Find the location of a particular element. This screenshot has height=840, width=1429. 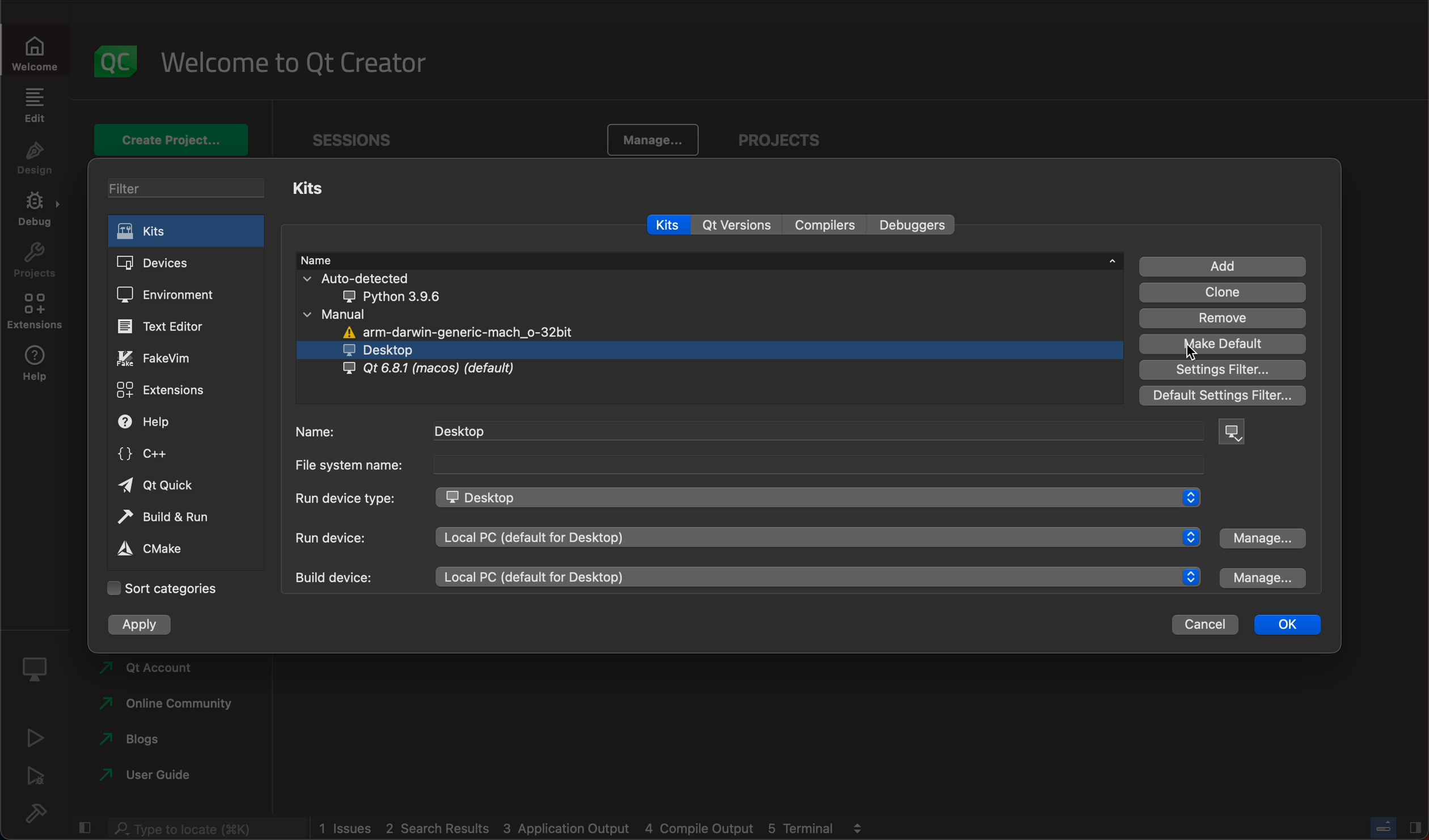

Toggle progress bar is located at coordinates (1381, 825).